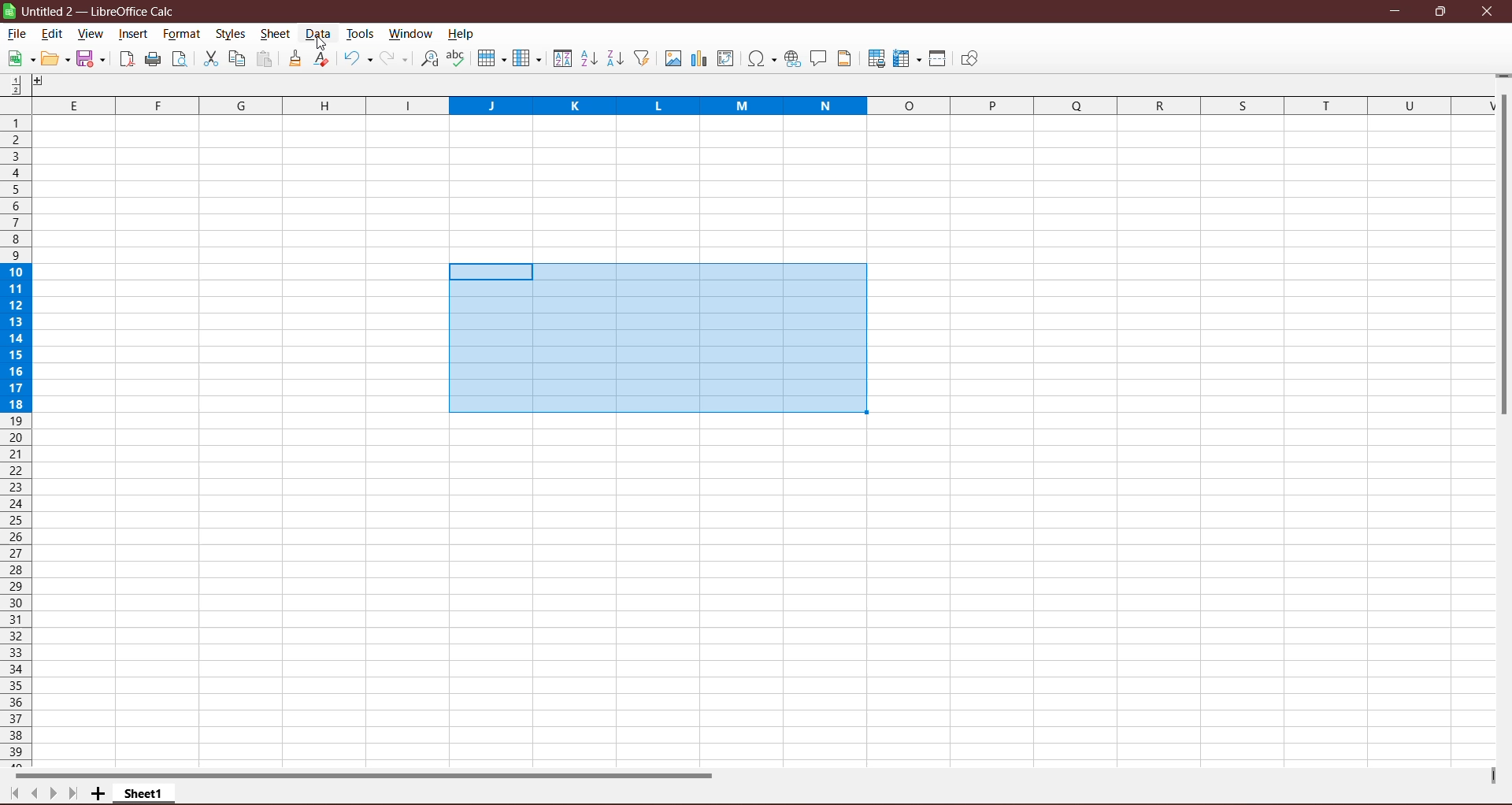 This screenshot has height=805, width=1512. Describe the element at coordinates (318, 34) in the screenshot. I see `Data` at that location.